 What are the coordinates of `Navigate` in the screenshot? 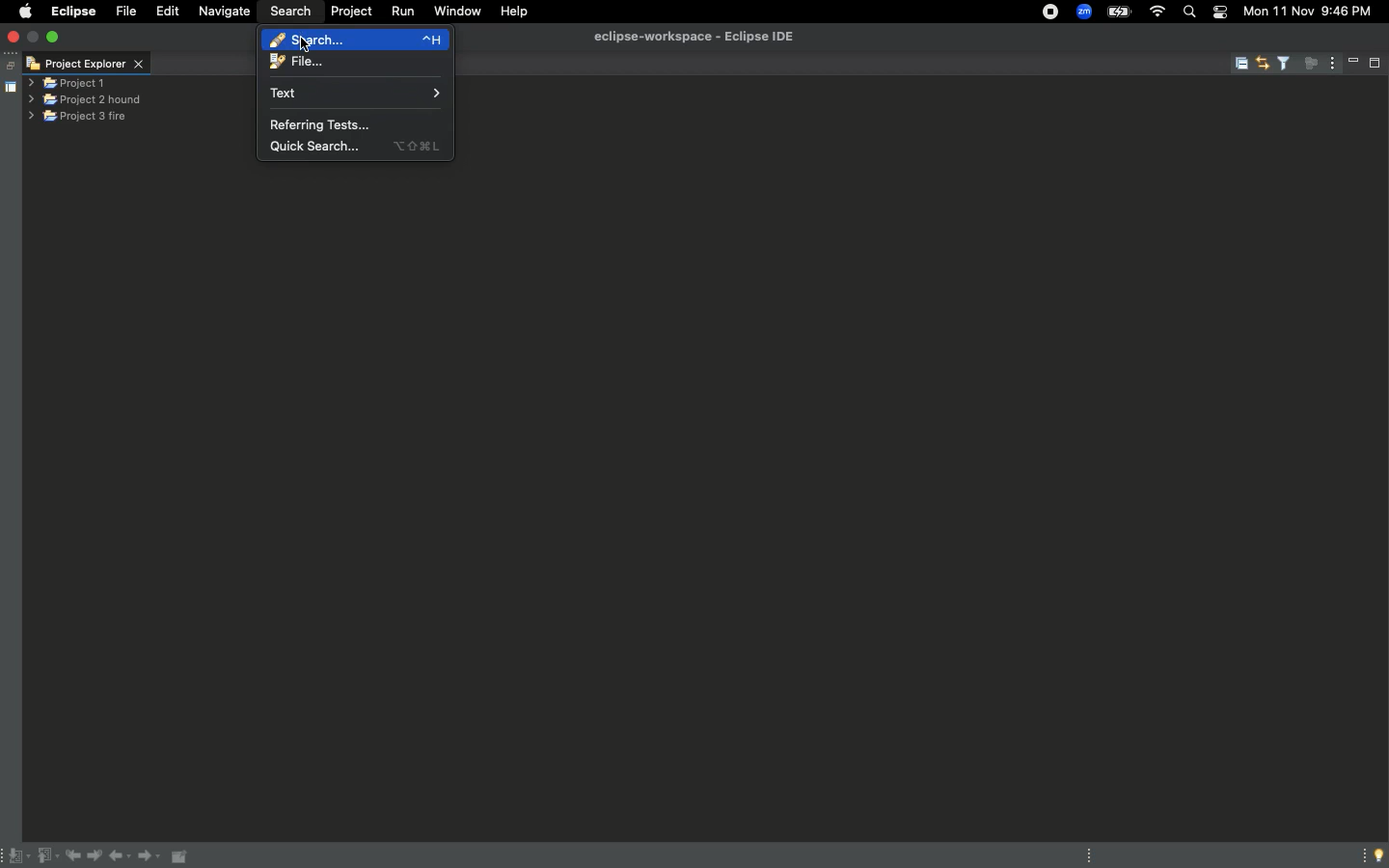 It's located at (224, 11).